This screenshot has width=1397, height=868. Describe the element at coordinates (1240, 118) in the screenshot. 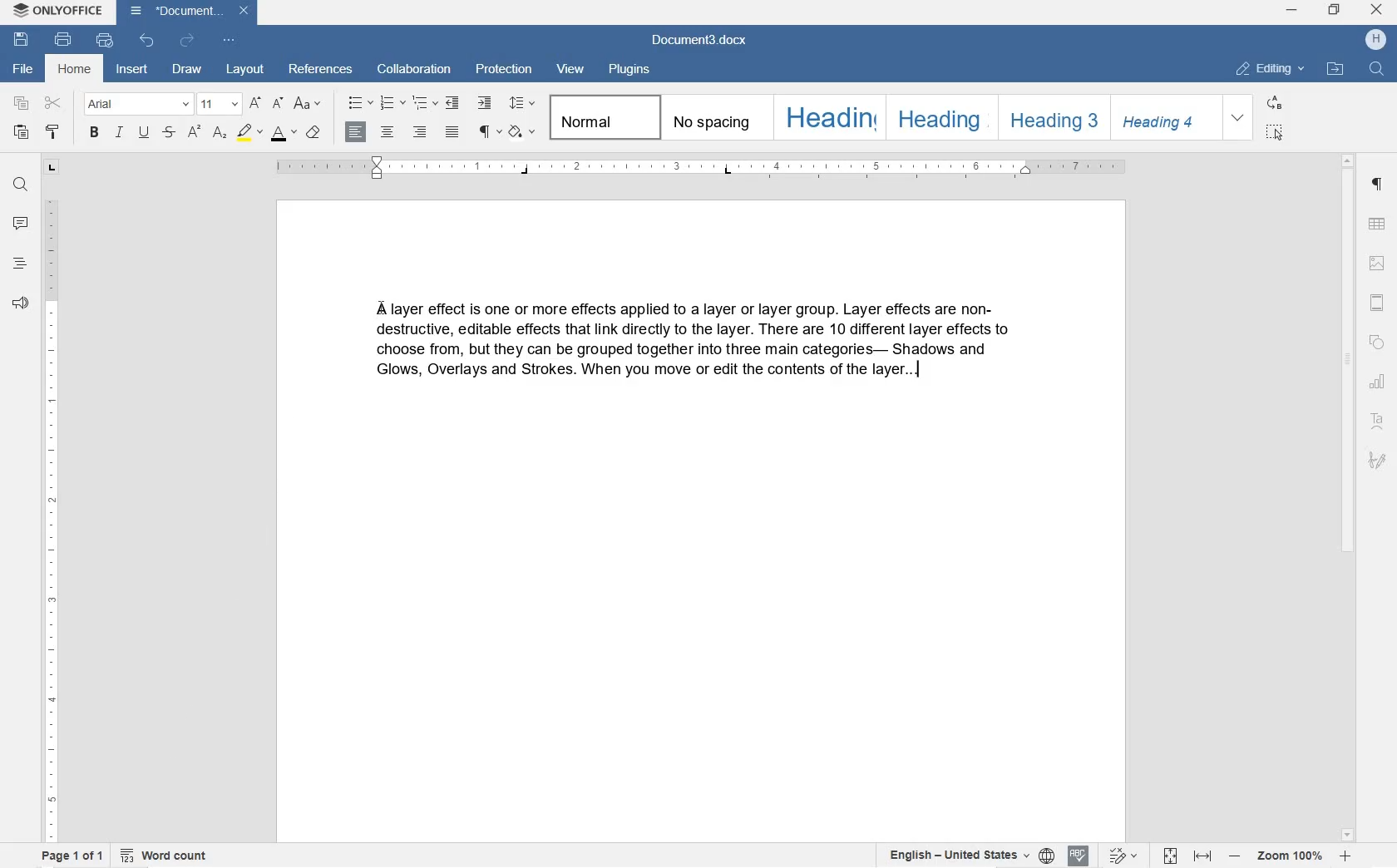

I see `EXPAND FORMATTING STYLE` at that location.